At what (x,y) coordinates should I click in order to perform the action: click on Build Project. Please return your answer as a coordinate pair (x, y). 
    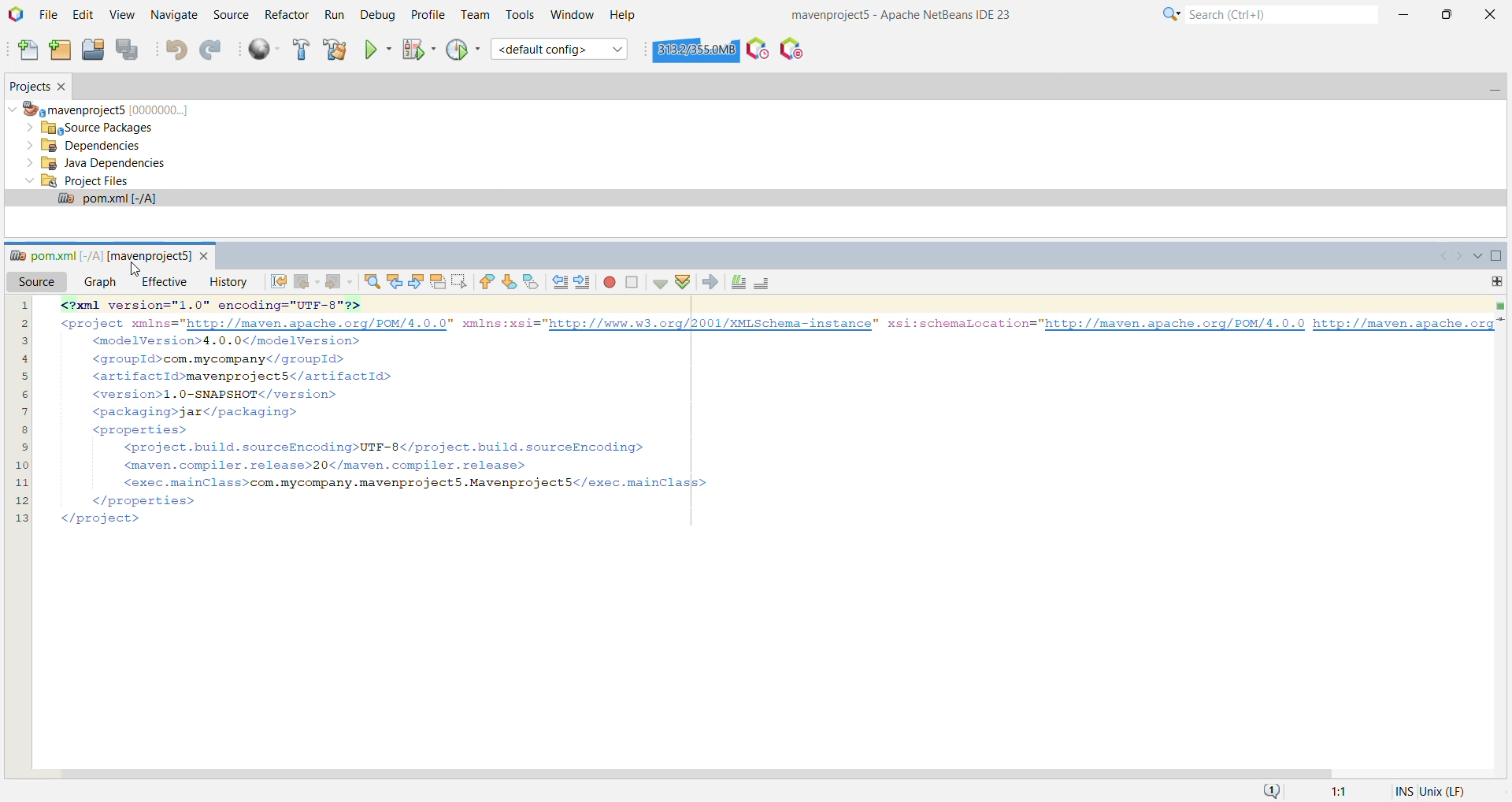
    Looking at the image, I should click on (300, 50).